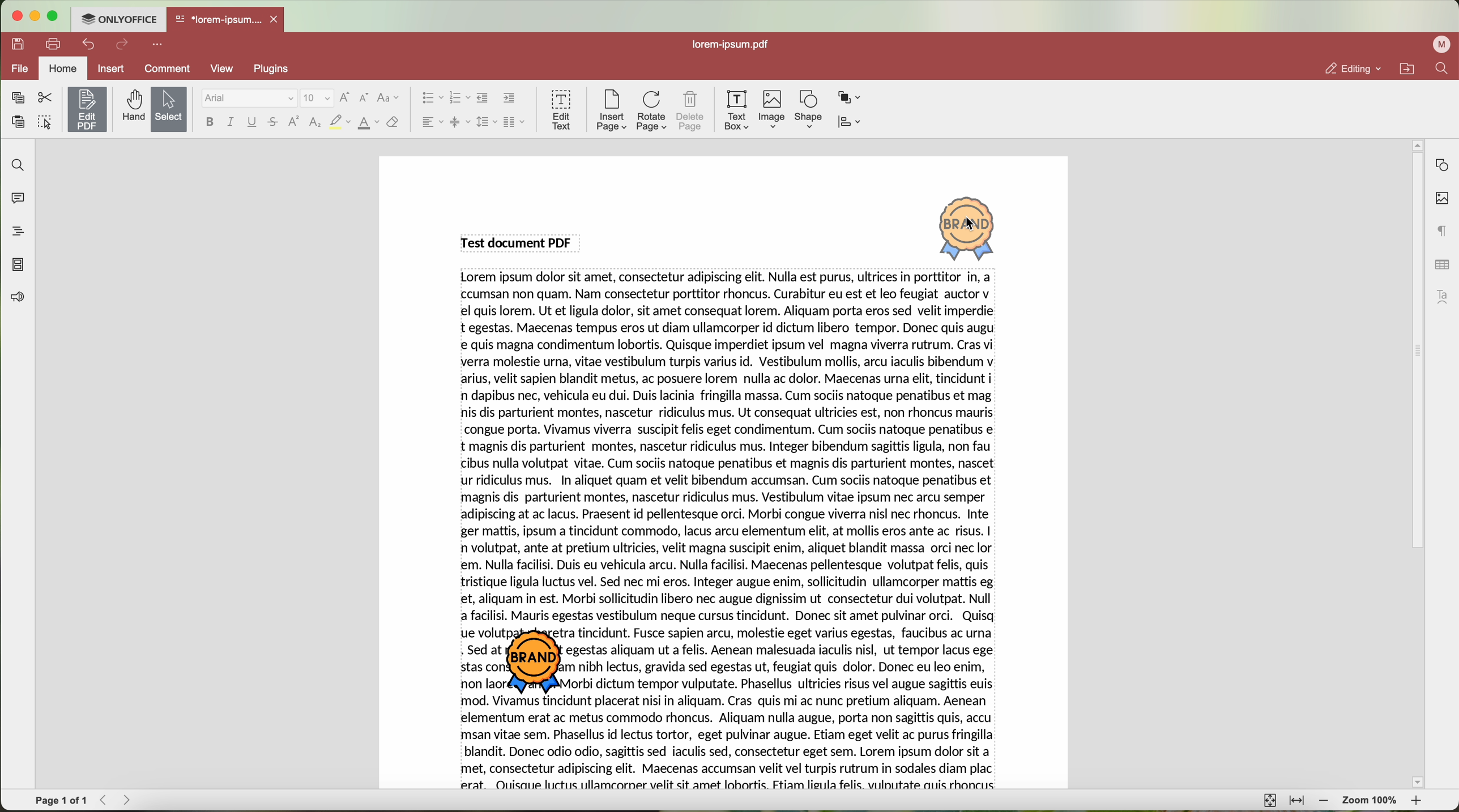 This screenshot has height=812, width=1459. Describe the element at coordinates (45, 123) in the screenshot. I see `select all` at that location.